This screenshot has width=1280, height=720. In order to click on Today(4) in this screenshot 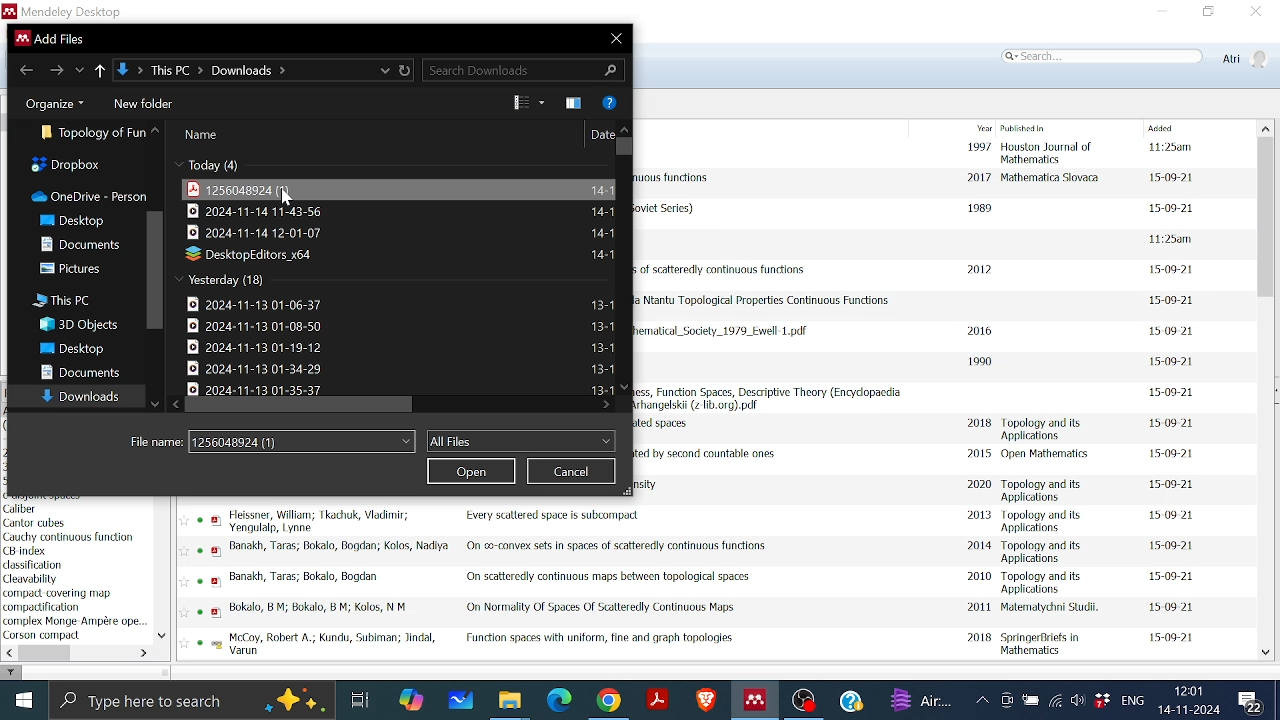, I will do `click(208, 166)`.